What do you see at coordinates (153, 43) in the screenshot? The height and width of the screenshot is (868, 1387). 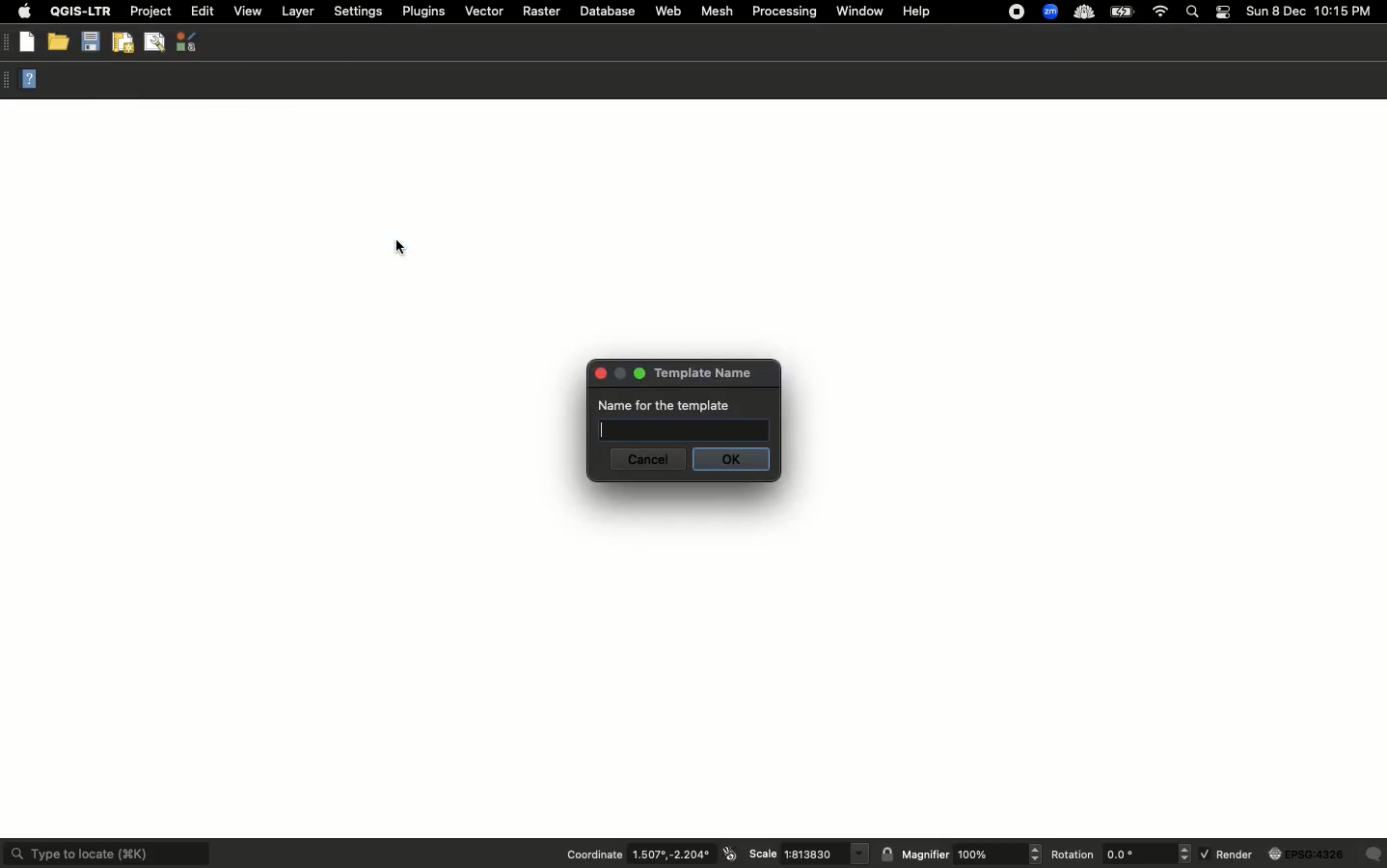 I see `Show layout manager` at bounding box center [153, 43].